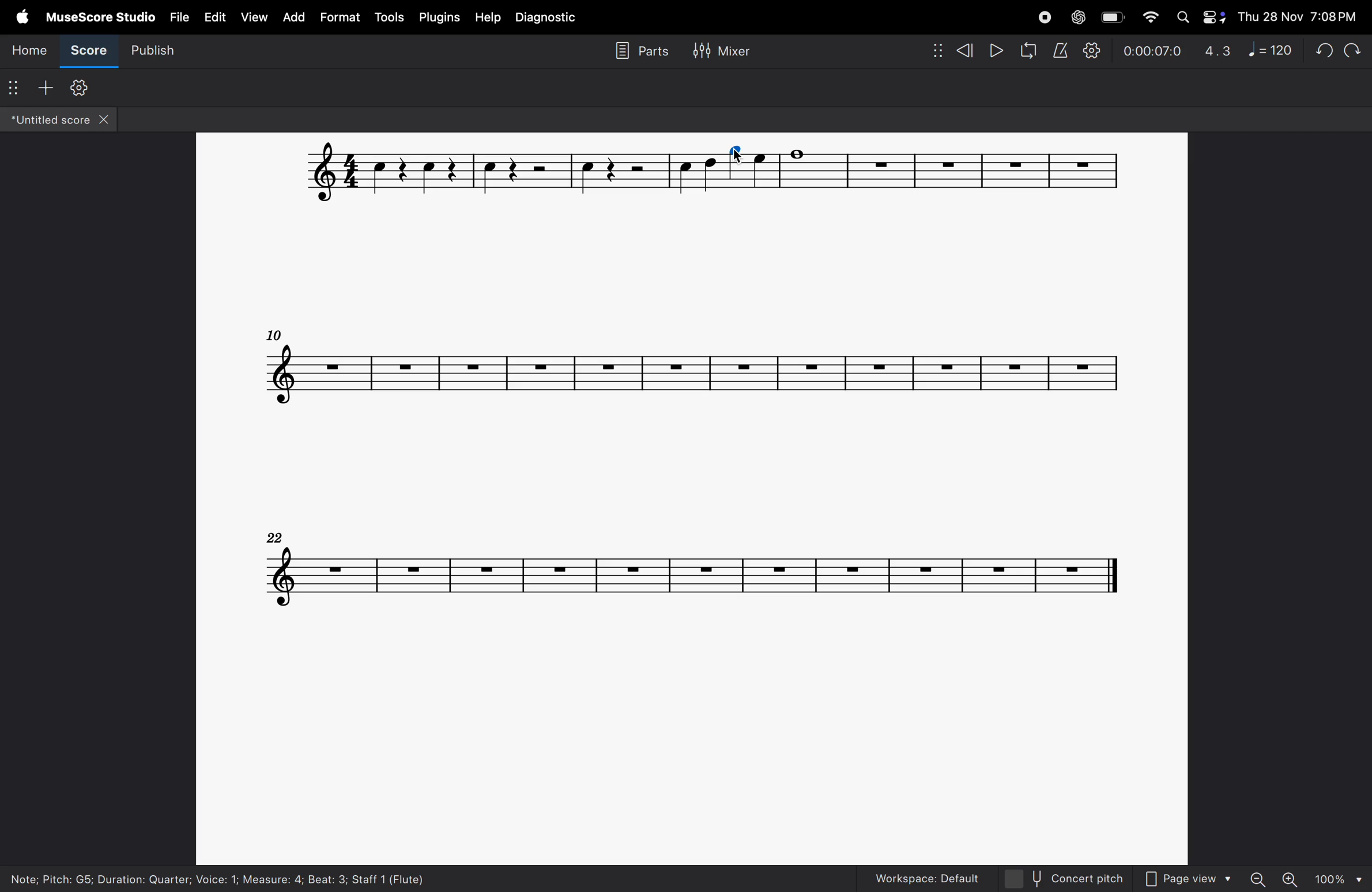  Describe the element at coordinates (921, 875) in the screenshot. I see `workspaces default` at that location.